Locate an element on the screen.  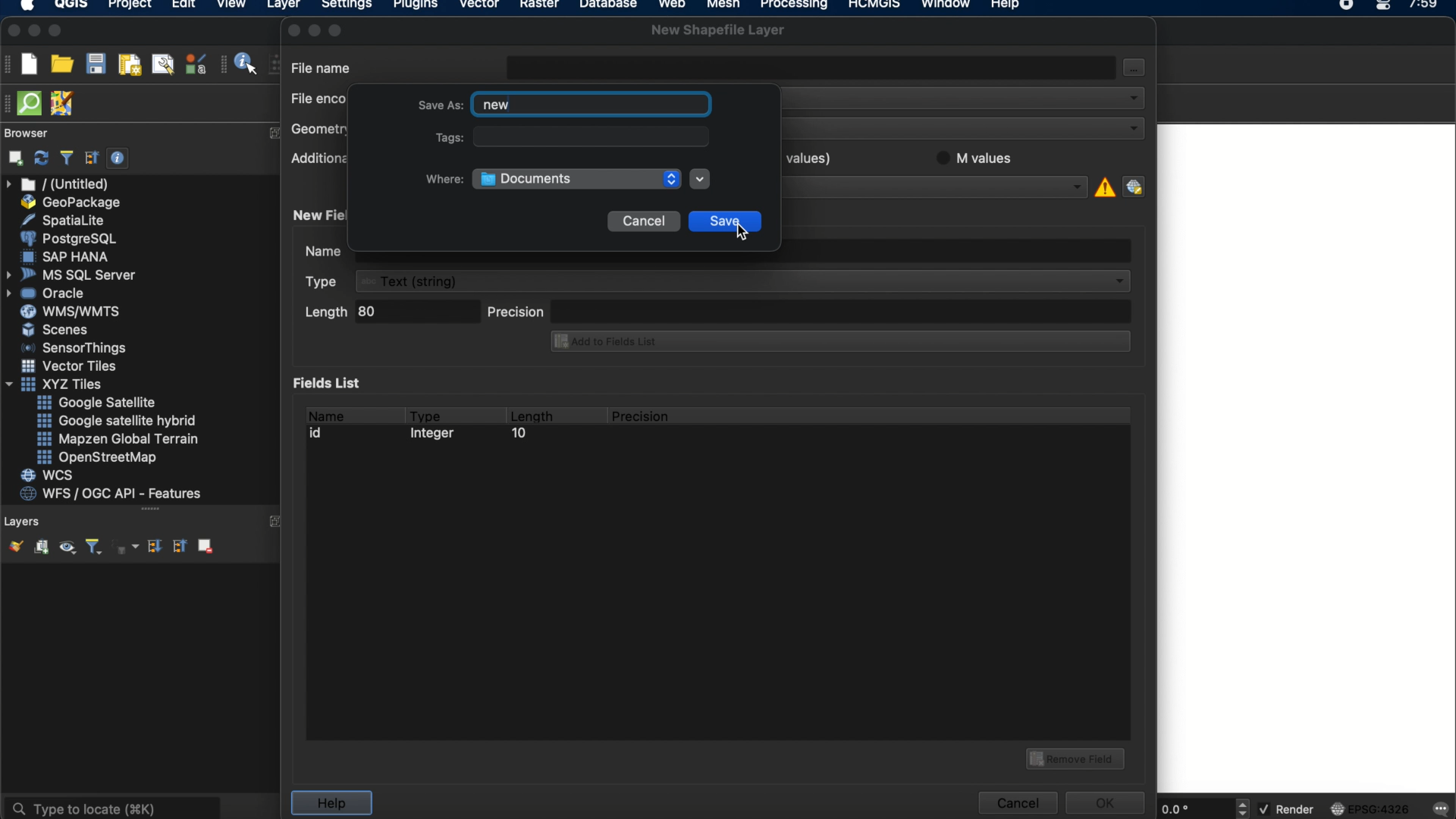
collapse all is located at coordinates (92, 158).